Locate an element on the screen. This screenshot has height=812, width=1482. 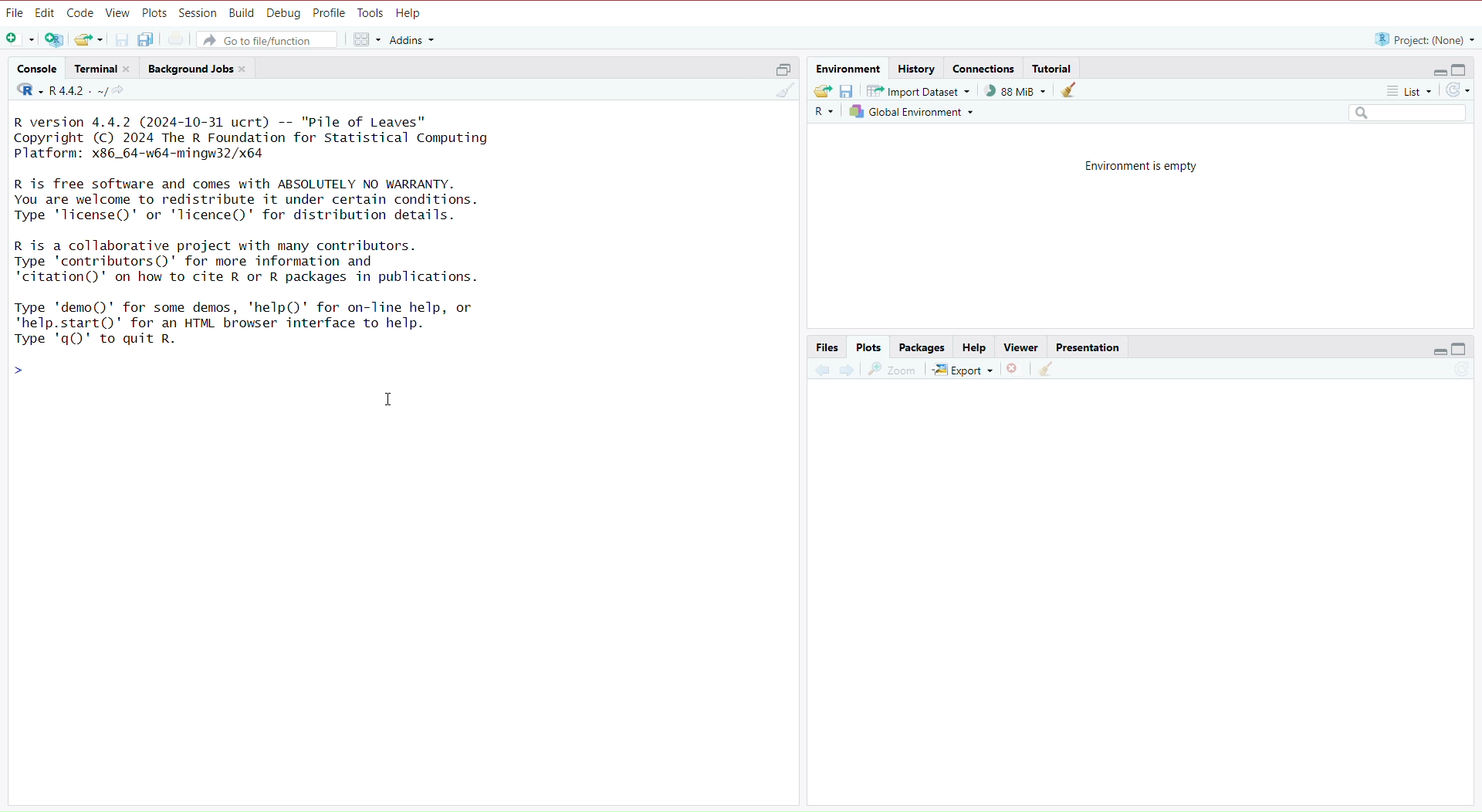
backward is located at coordinates (821, 374).